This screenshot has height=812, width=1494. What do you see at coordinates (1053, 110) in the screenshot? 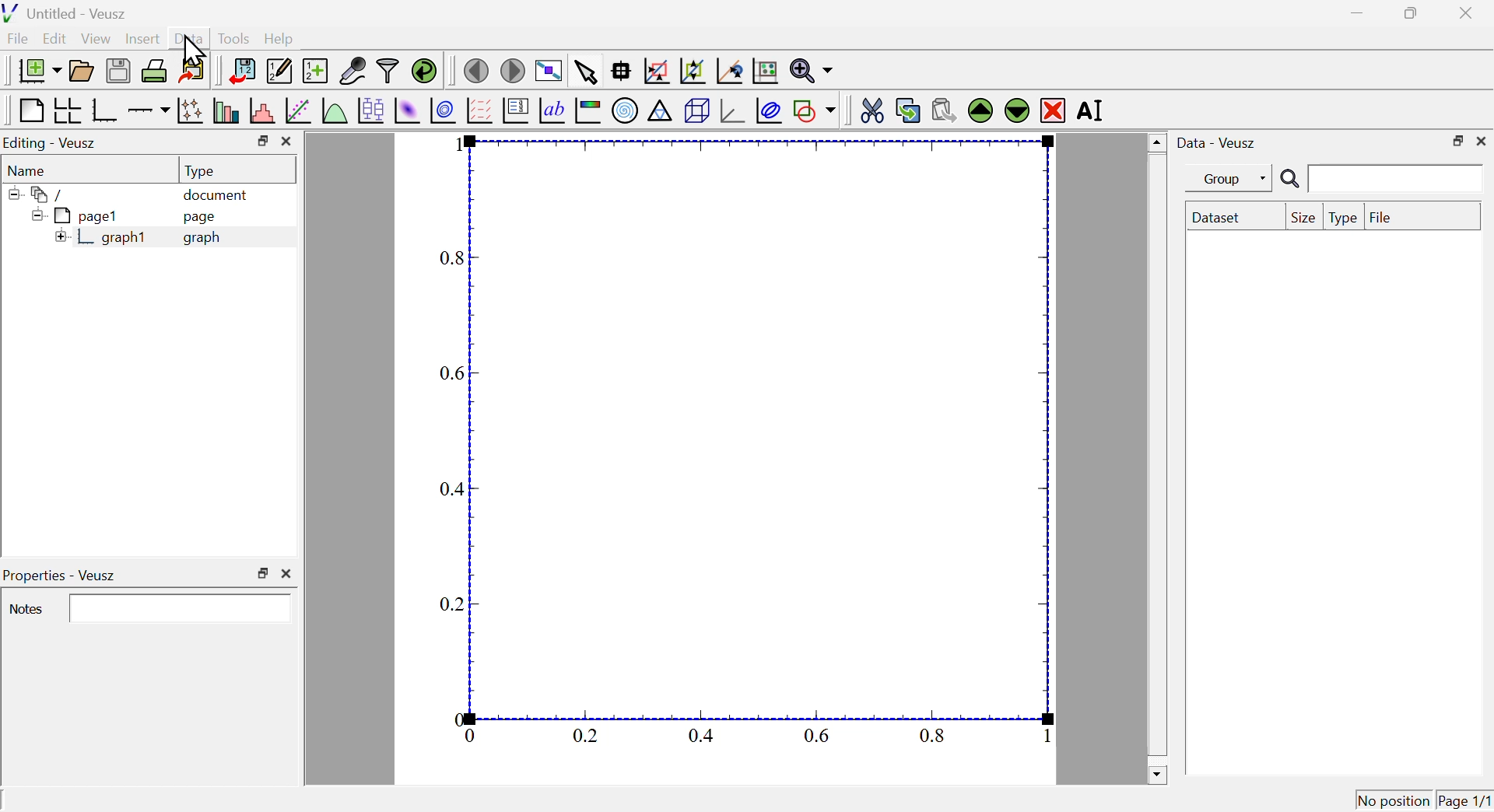
I see `remove the selected widget` at bounding box center [1053, 110].